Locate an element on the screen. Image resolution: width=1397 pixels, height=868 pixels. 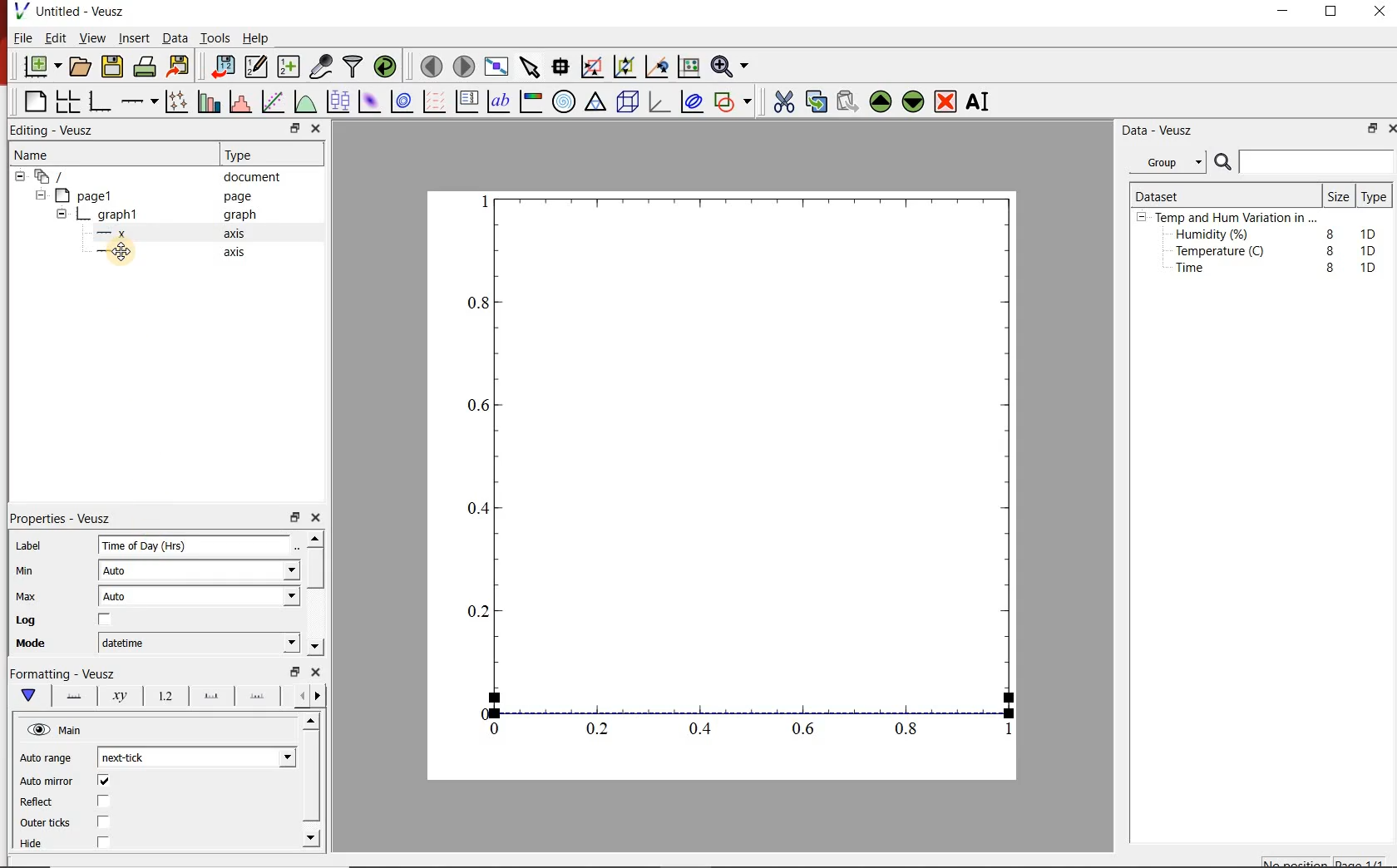
Type is located at coordinates (249, 155).